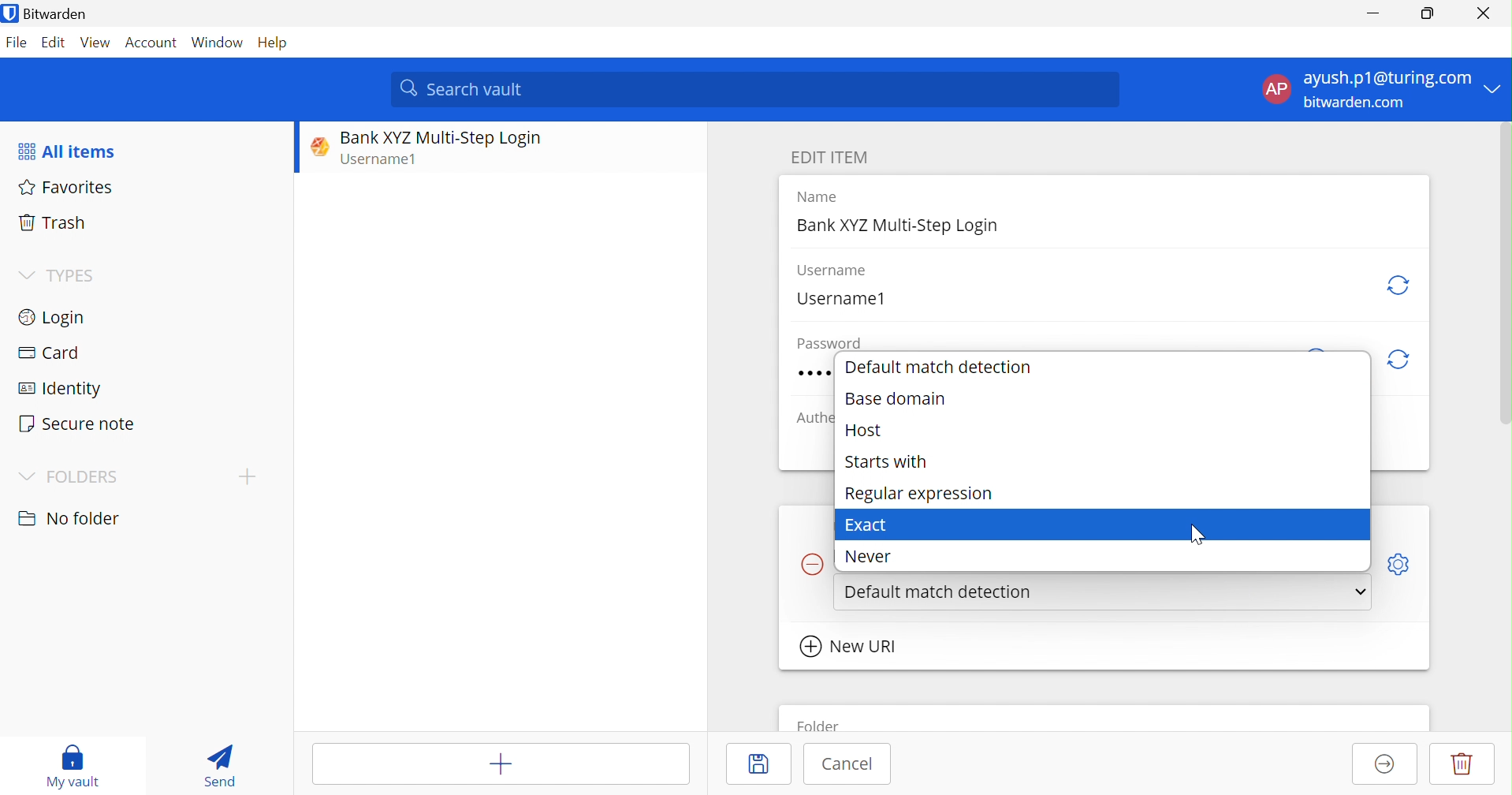 The width and height of the screenshot is (1512, 795). Describe the element at coordinates (1400, 285) in the screenshot. I see `Regenerate username` at that location.